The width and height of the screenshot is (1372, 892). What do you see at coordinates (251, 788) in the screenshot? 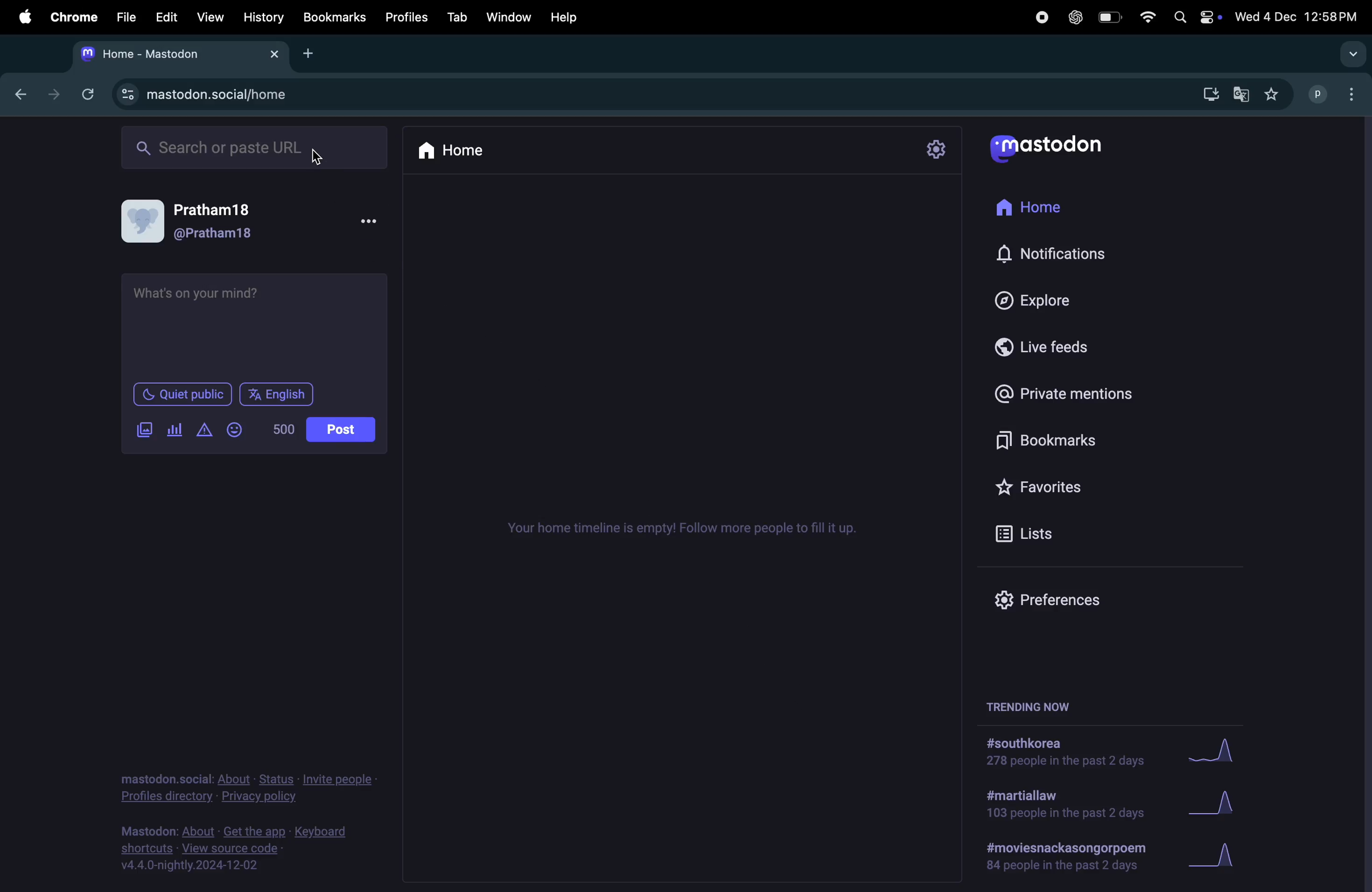
I see `privacy and policy` at bounding box center [251, 788].